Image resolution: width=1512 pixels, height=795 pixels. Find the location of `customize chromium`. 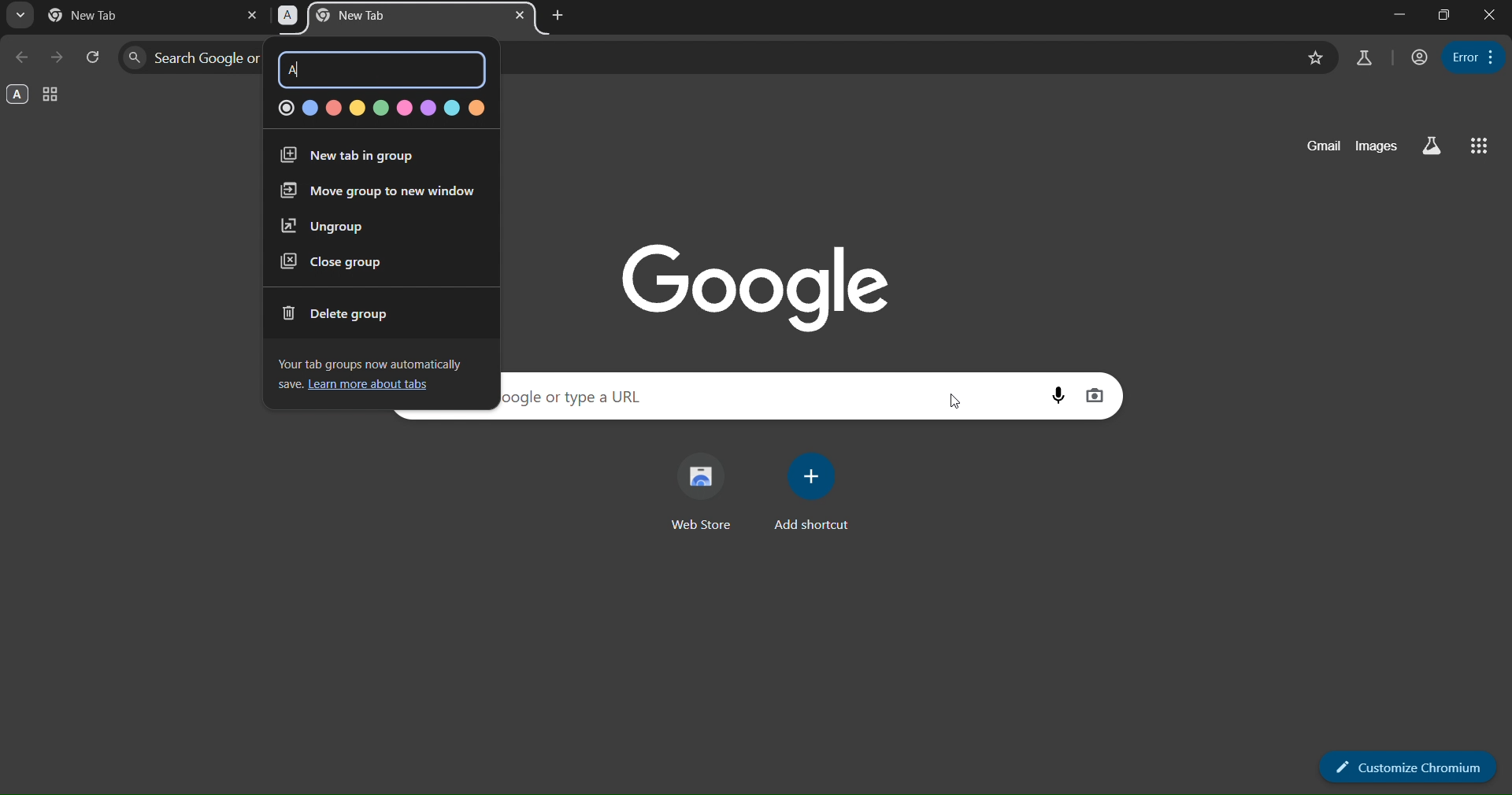

customize chromium is located at coordinates (1411, 768).